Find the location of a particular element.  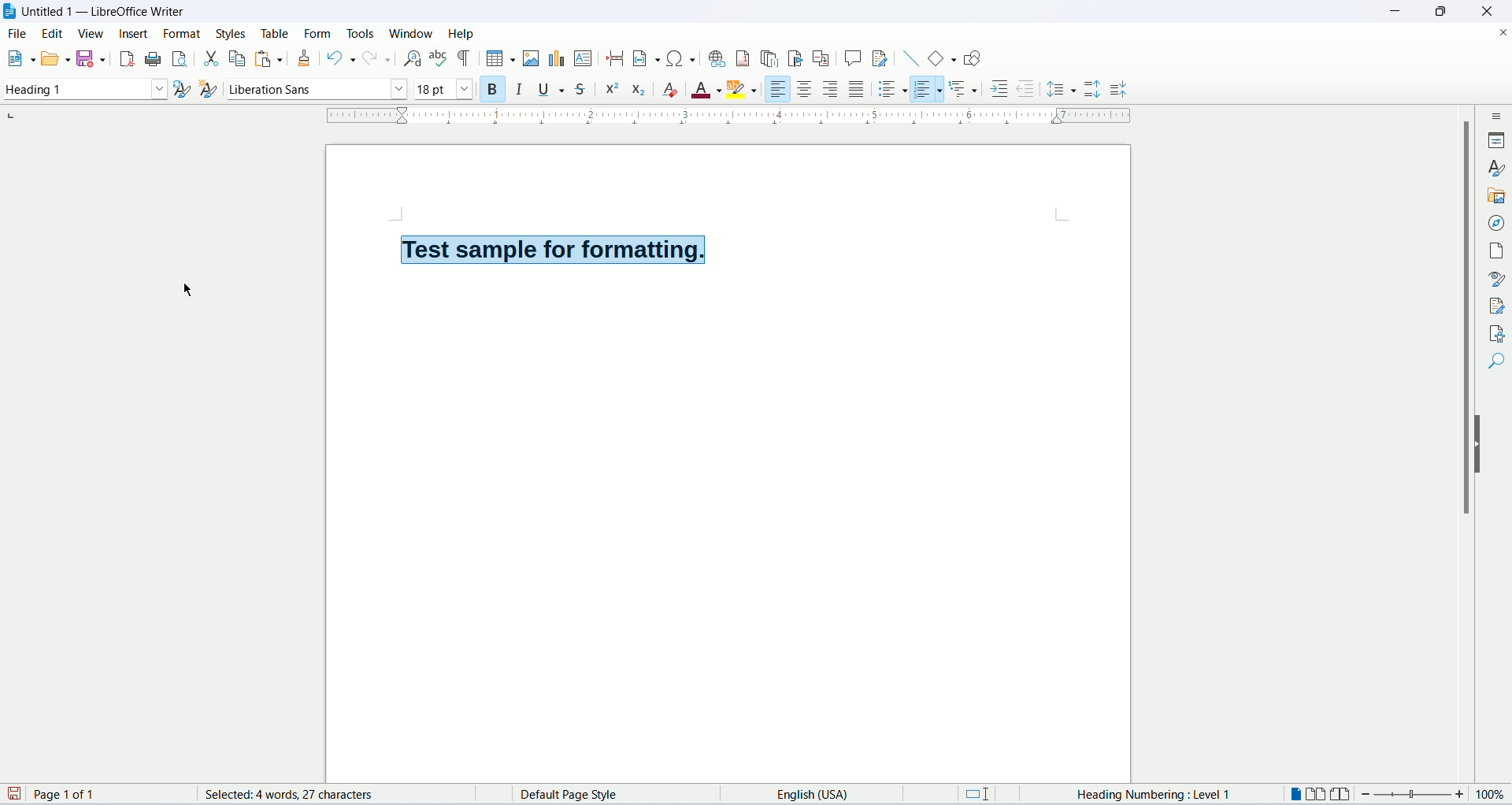

single page view is located at coordinates (1297, 794).